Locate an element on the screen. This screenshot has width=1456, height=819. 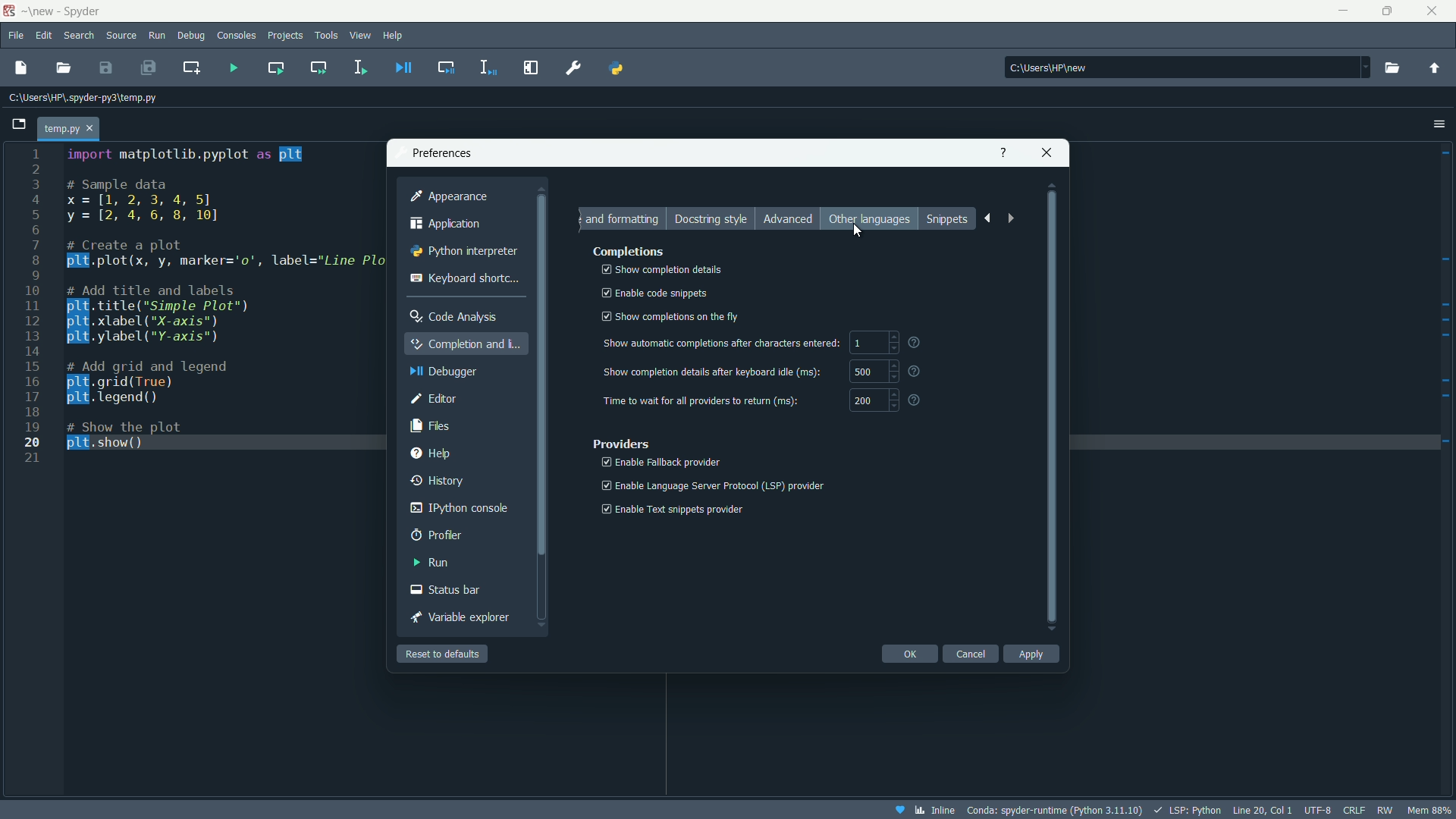
run is located at coordinates (157, 36).